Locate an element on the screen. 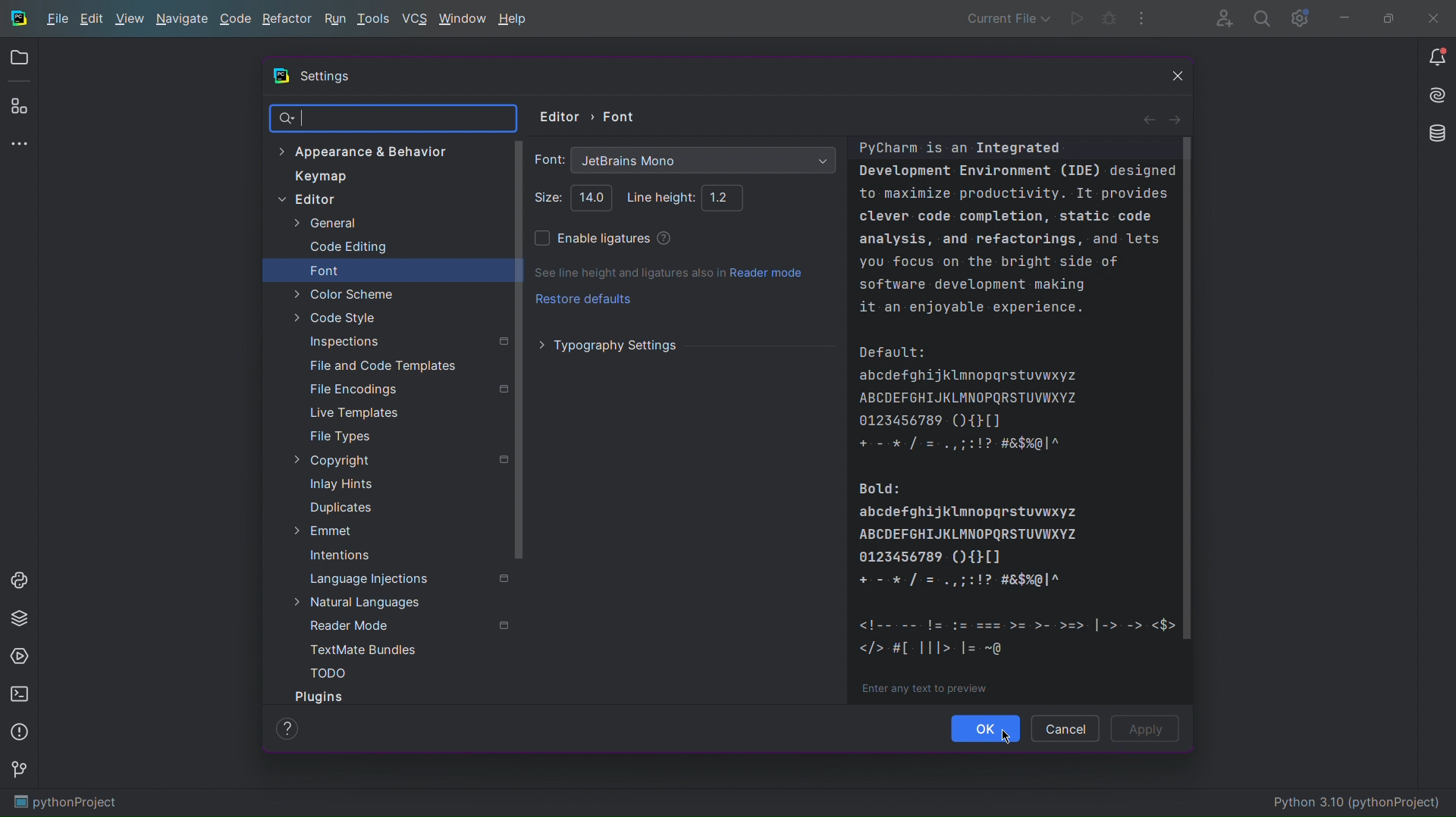  Code is located at coordinates (236, 21).